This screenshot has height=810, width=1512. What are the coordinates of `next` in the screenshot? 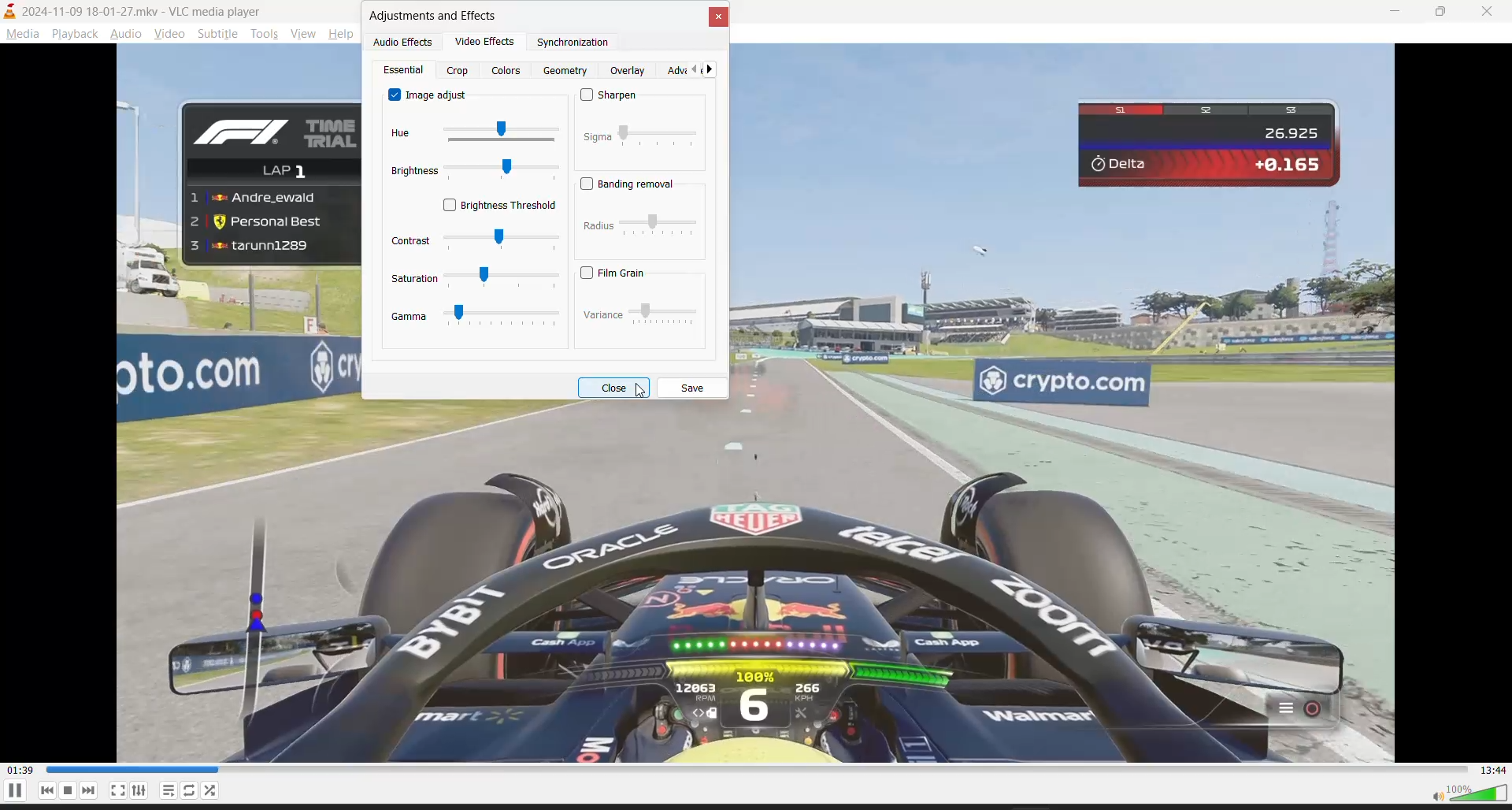 It's located at (714, 69).